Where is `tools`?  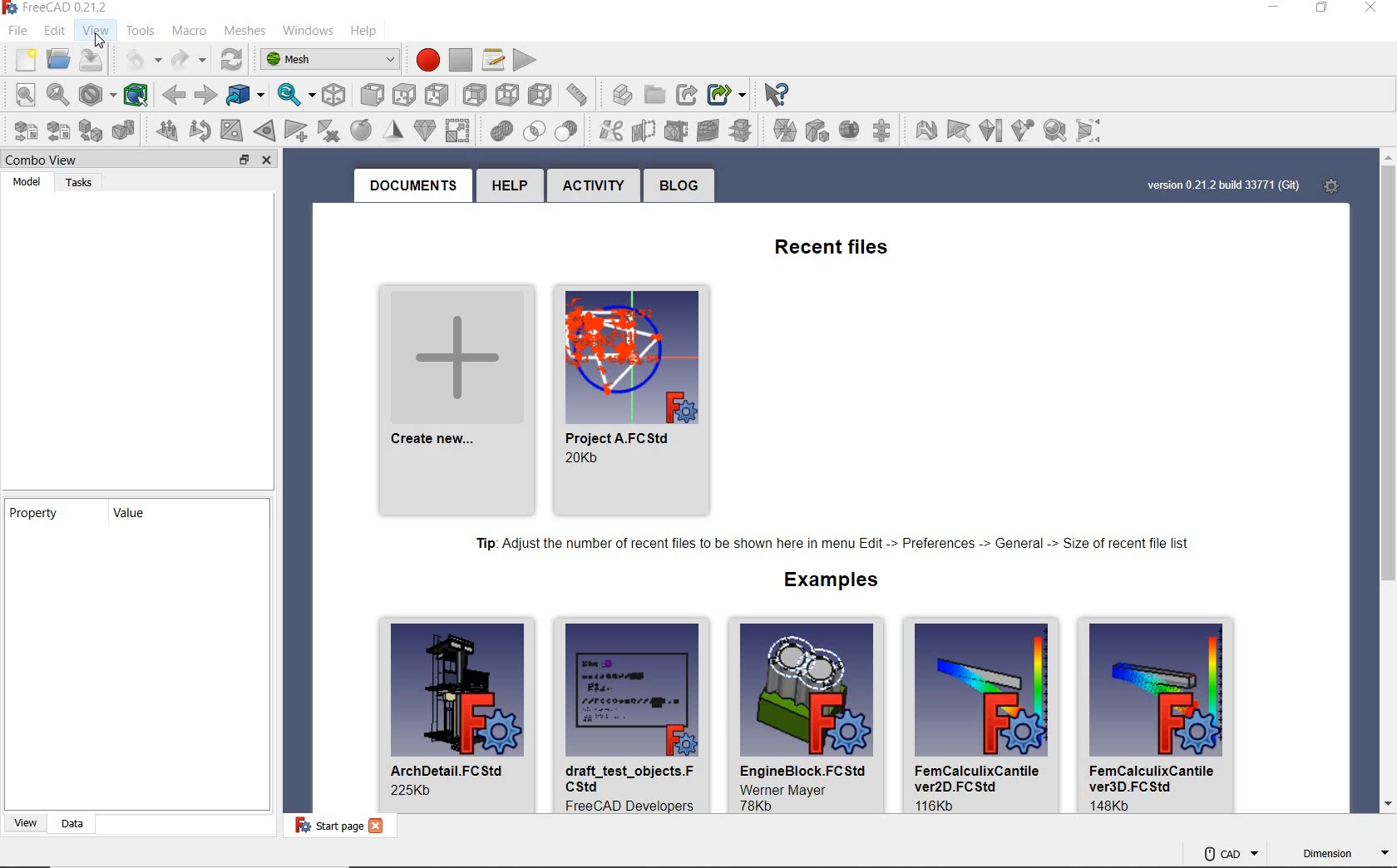
tools is located at coordinates (135, 31).